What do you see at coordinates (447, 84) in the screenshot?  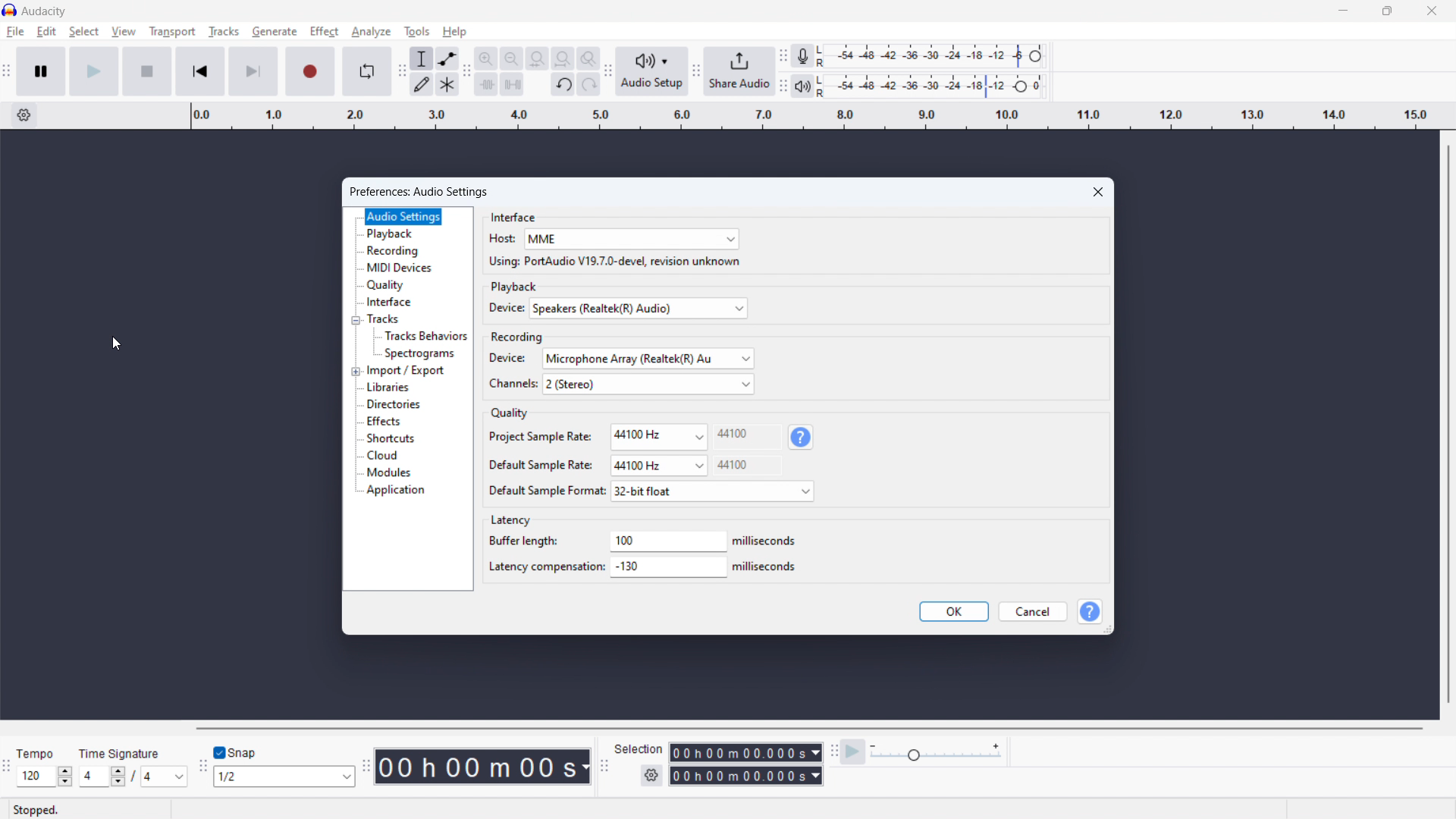 I see `multi tool` at bounding box center [447, 84].